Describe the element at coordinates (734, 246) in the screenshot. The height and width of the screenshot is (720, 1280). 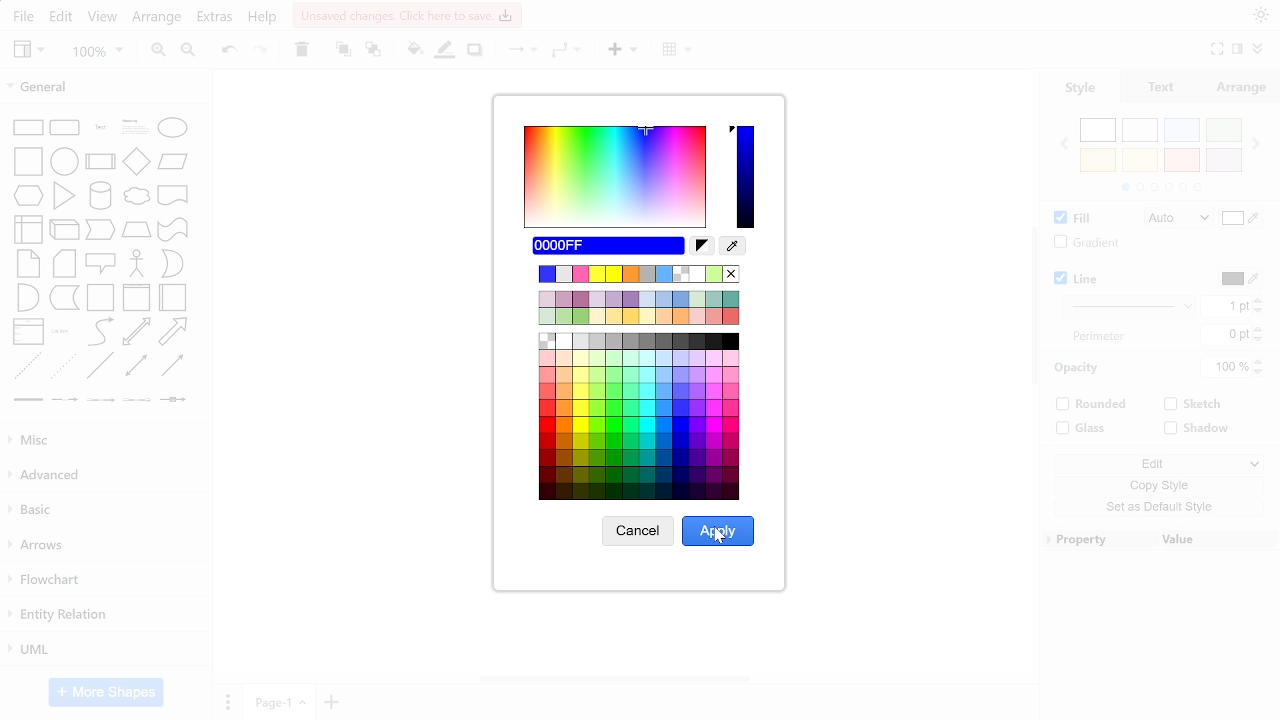
I see `pick color` at that location.